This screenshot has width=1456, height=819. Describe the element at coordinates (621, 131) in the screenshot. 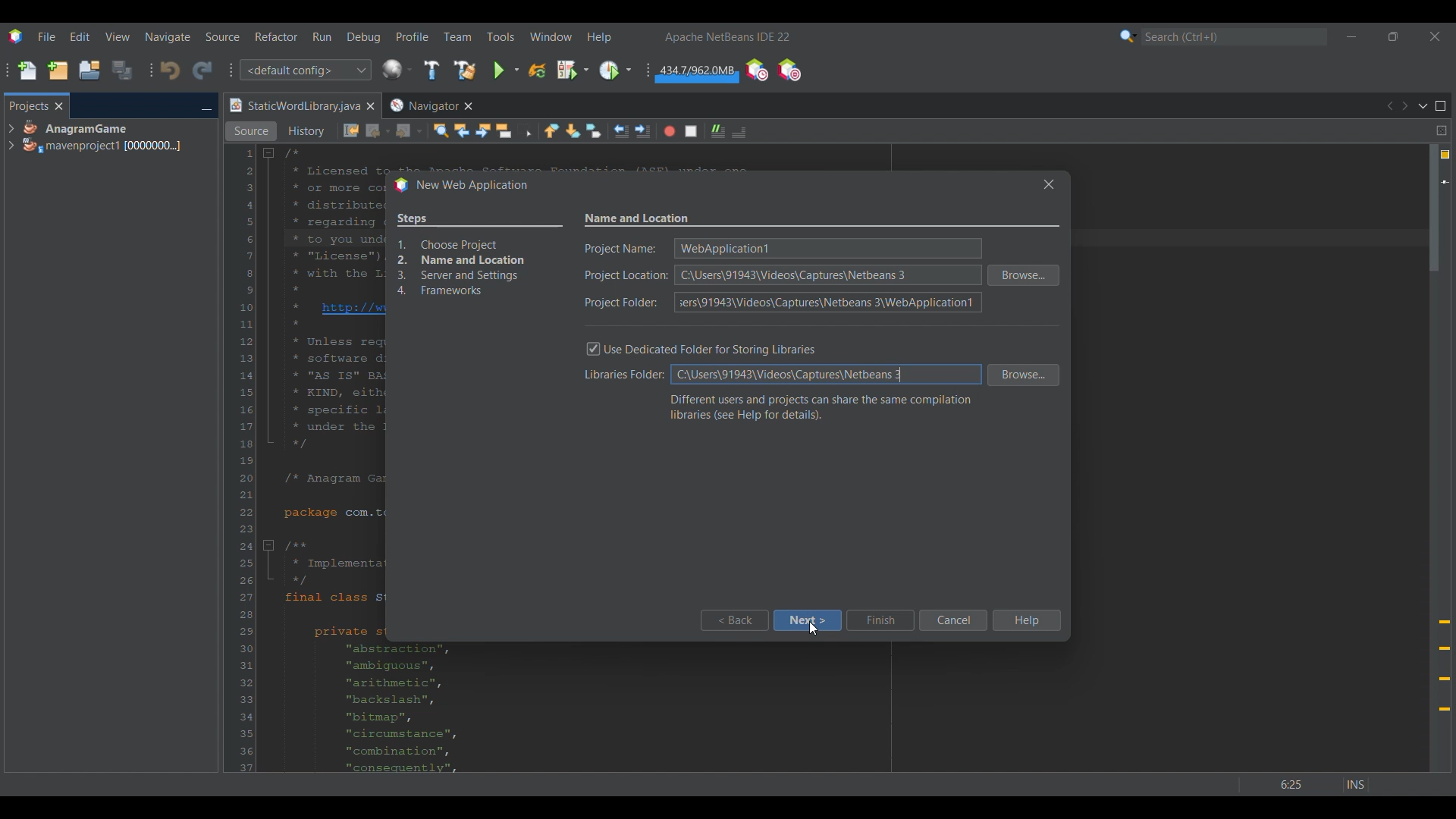

I see `Shift line left` at that location.